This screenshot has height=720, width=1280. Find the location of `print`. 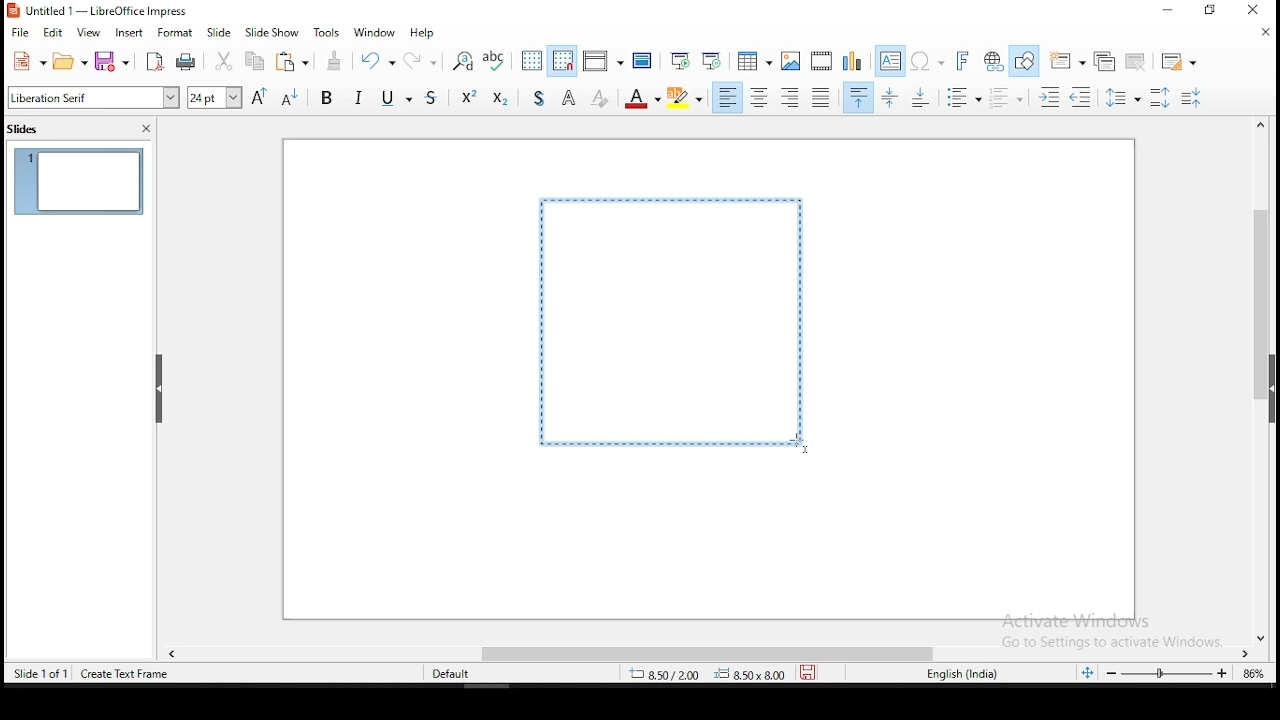

print is located at coordinates (186, 62).